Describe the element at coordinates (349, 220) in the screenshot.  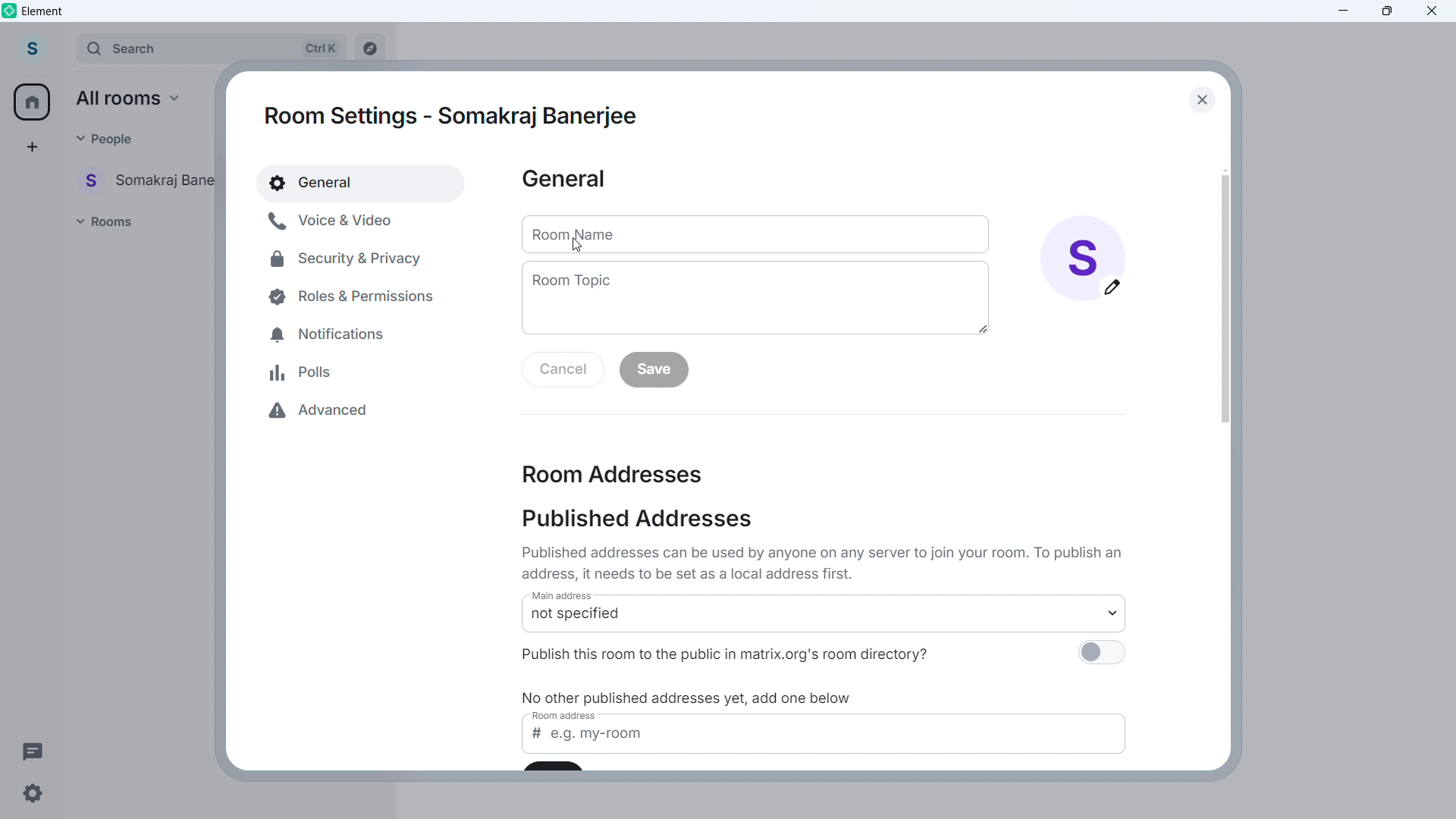
I see `Voice and video ` at that location.